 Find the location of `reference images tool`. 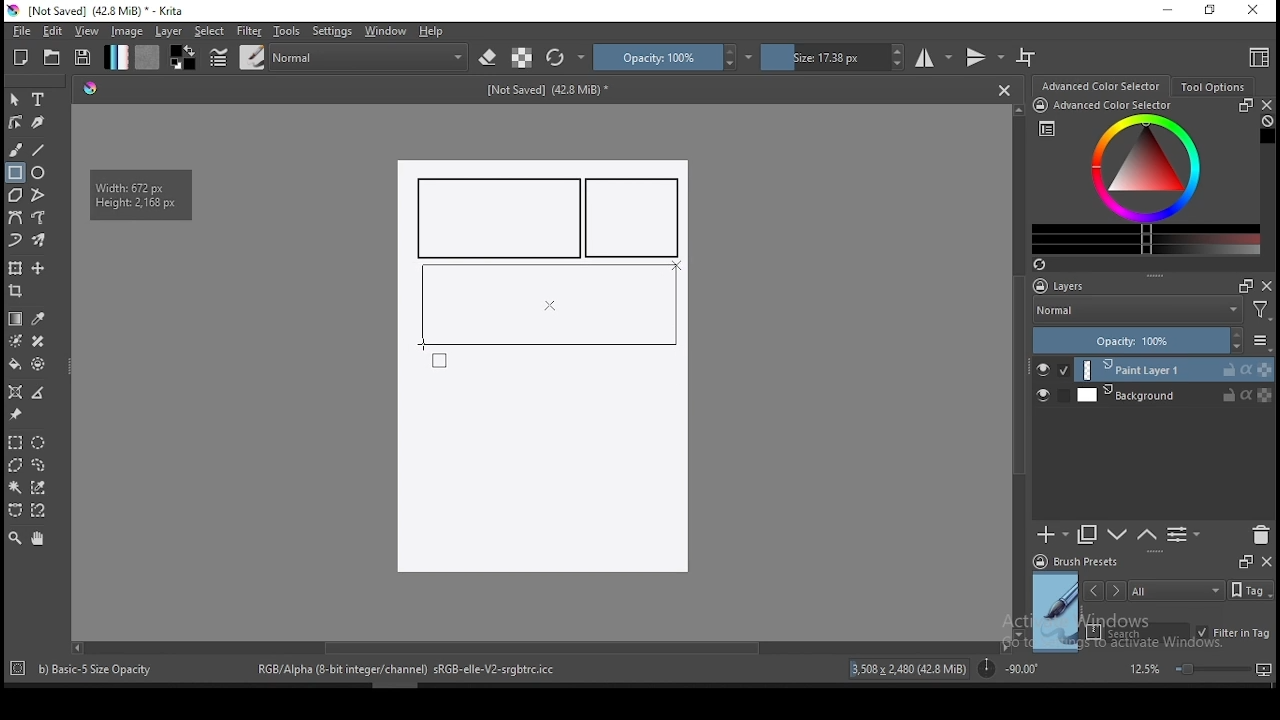

reference images tool is located at coordinates (14, 415).